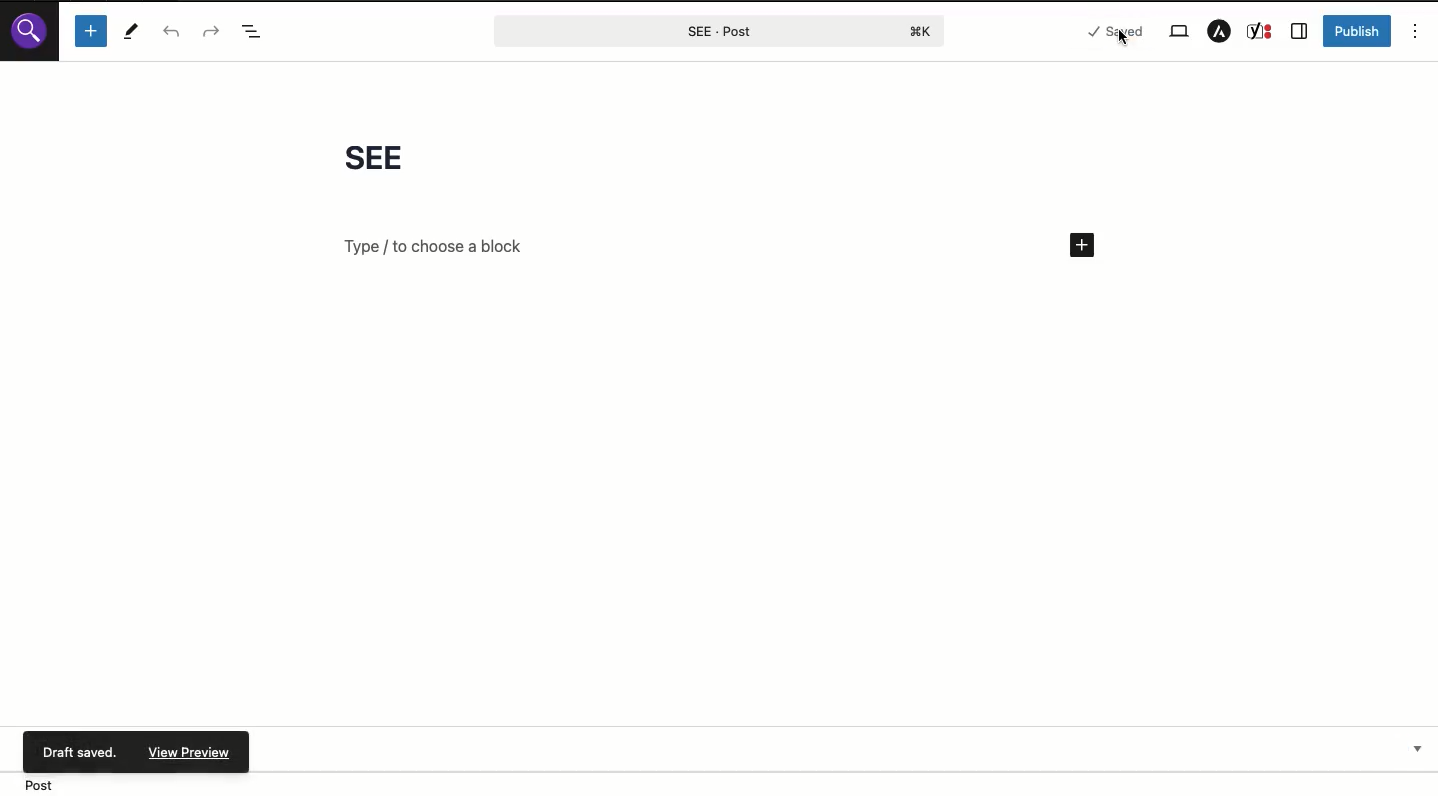 This screenshot has height=796, width=1438. Describe the element at coordinates (211, 33) in the screenshot. I see `Redo` at that location.